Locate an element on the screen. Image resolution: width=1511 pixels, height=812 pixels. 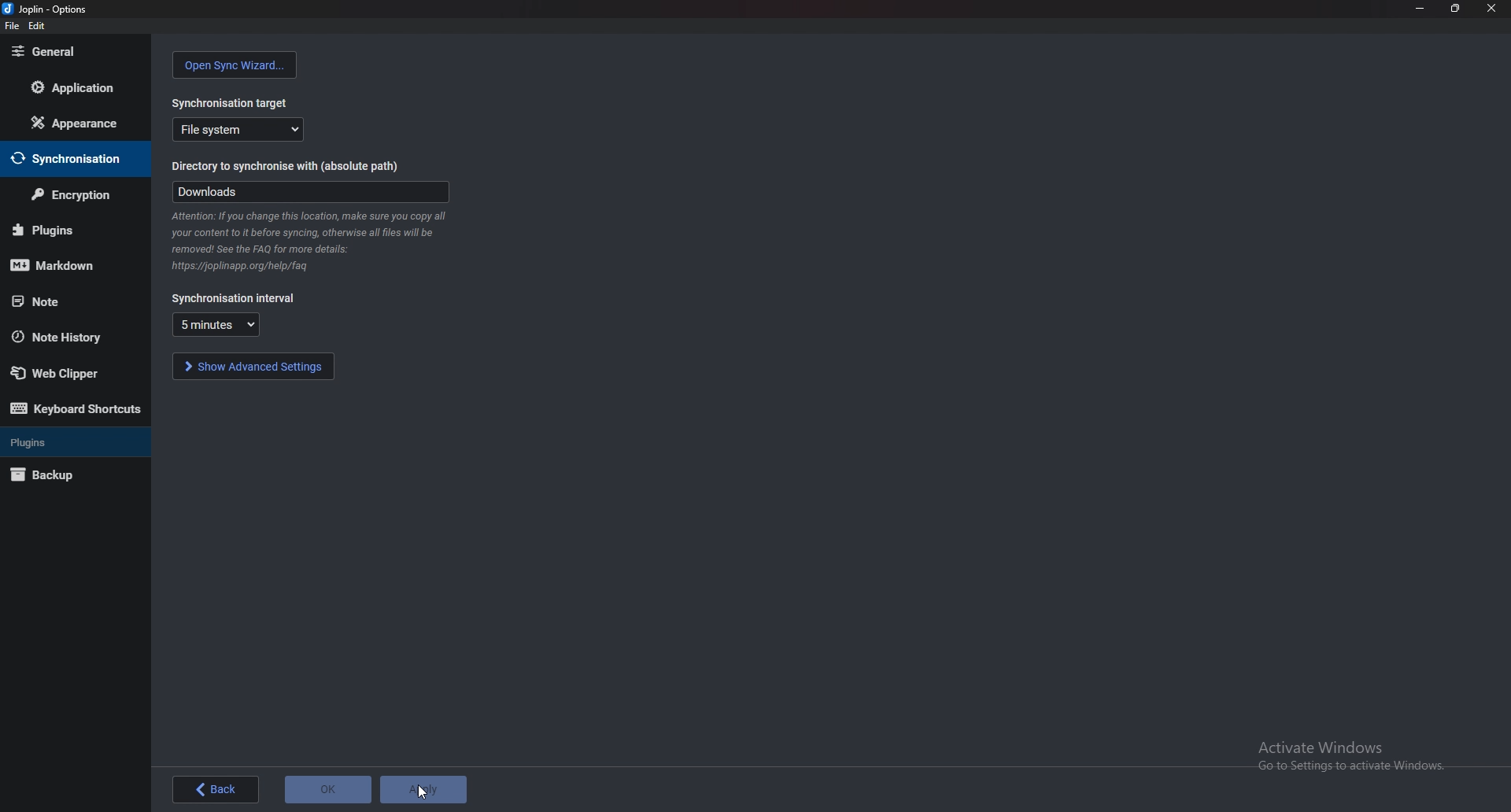
Minimize is located at coordinates (1420, 9).